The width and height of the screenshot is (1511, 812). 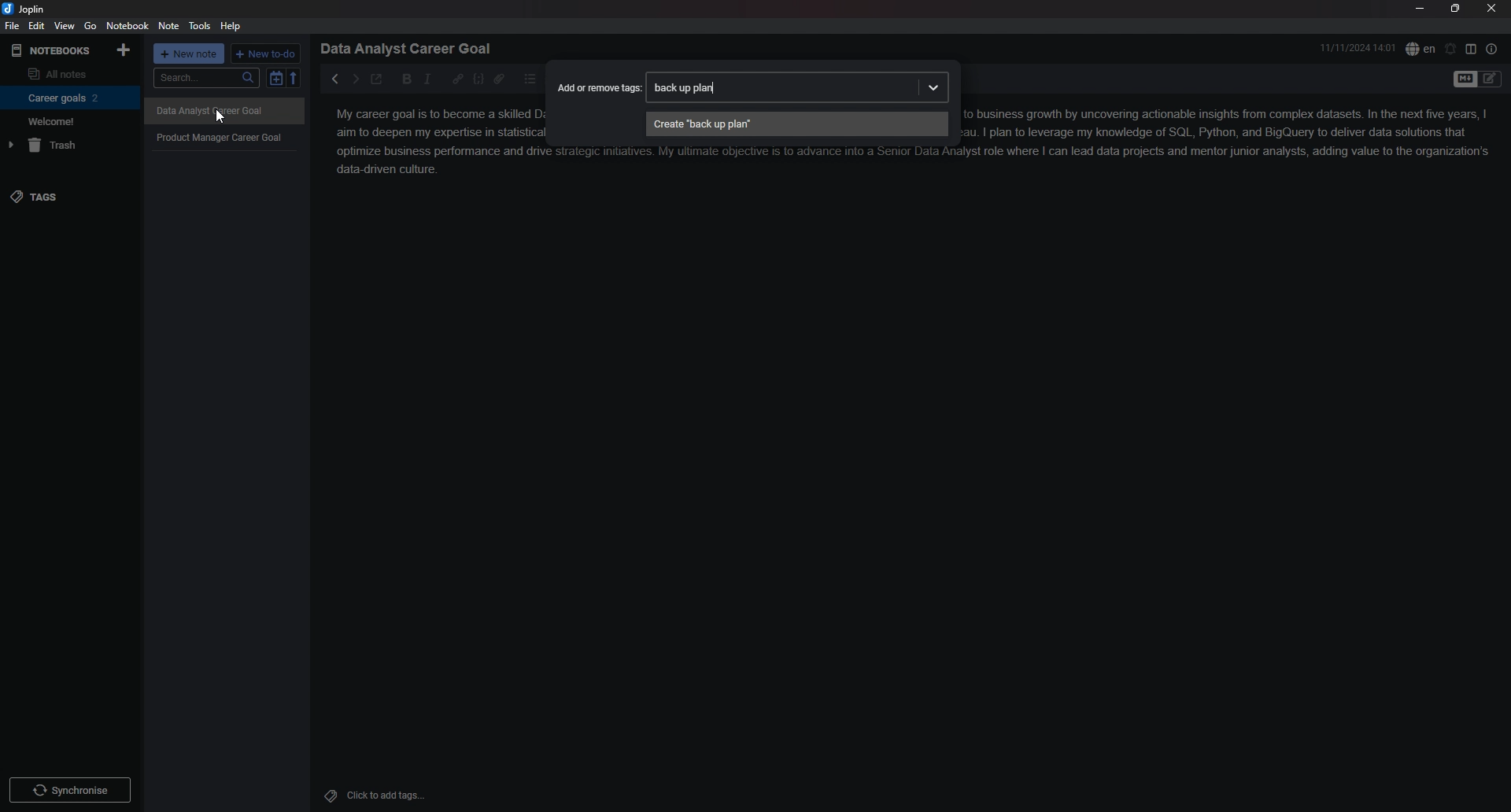 What do you see at coordinates (1358, 47) in the screenshot?
I see `11/11/2024 14:01` at bounding box center [1358, 47].